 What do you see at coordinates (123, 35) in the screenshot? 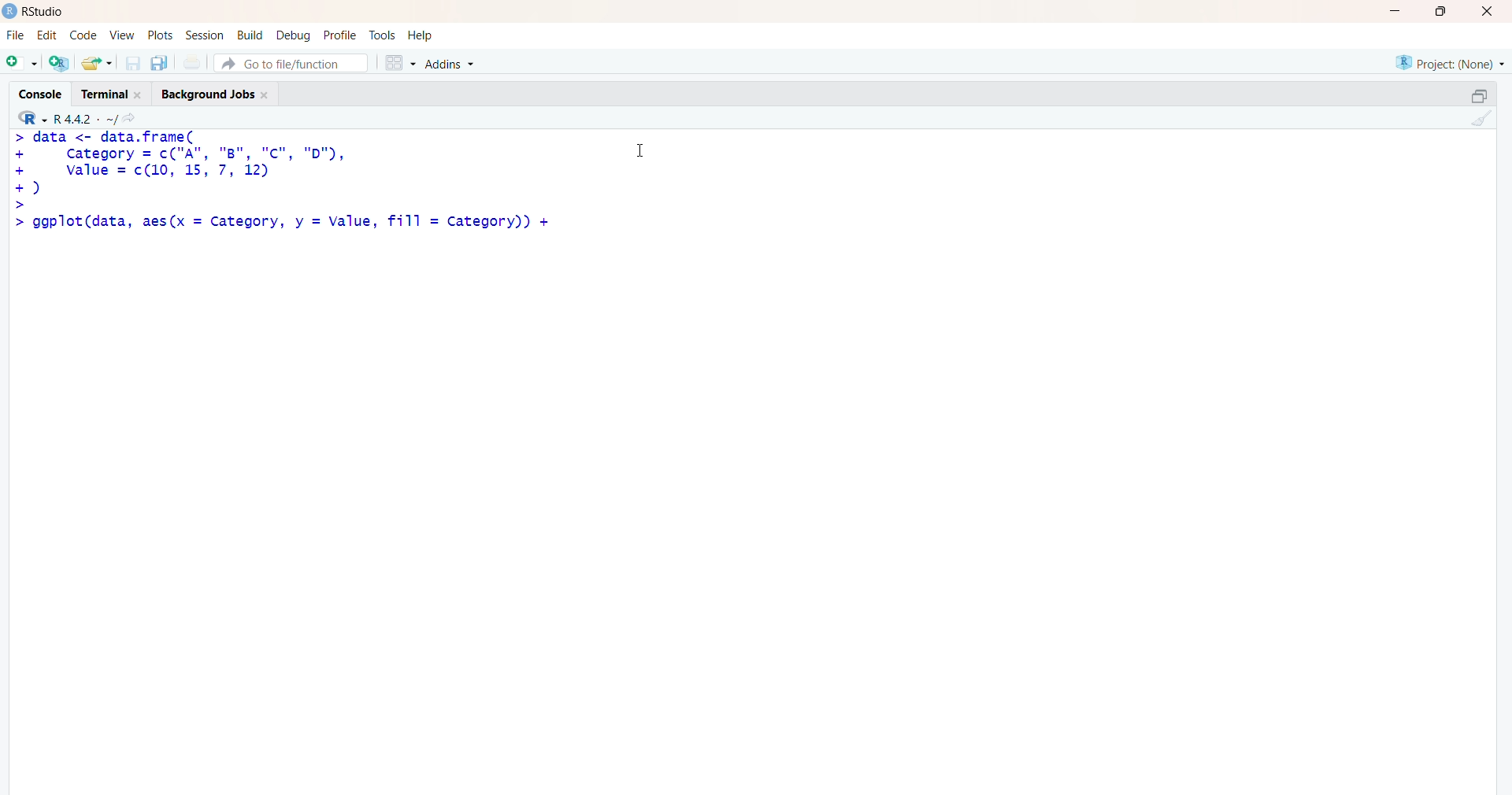
I see `View` at bounding box center [123, 35].